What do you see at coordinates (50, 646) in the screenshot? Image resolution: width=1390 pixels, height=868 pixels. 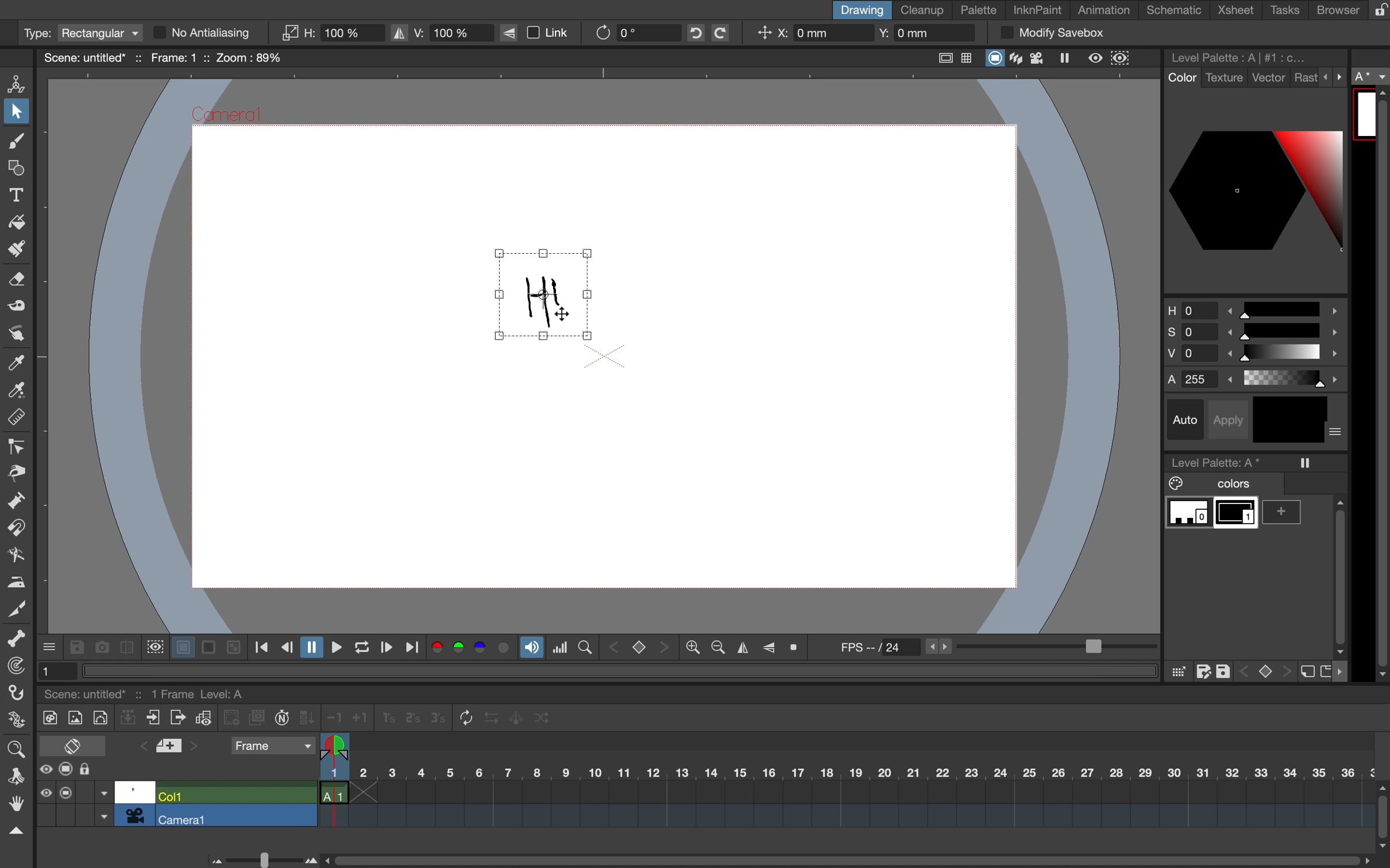 I see `more options` at bounding box center [50, 646].